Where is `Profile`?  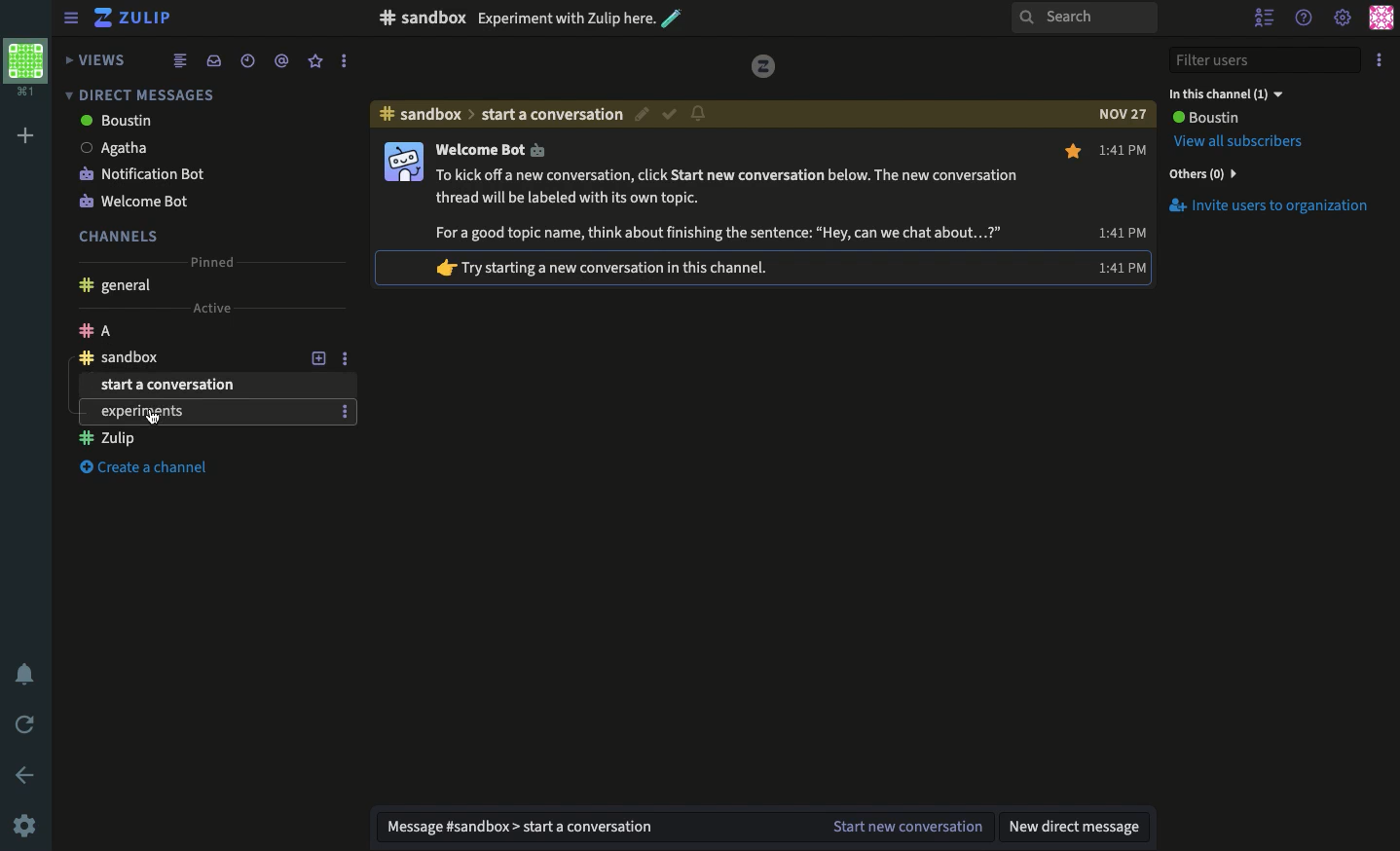
Profile is located at coordinates (24, 65).